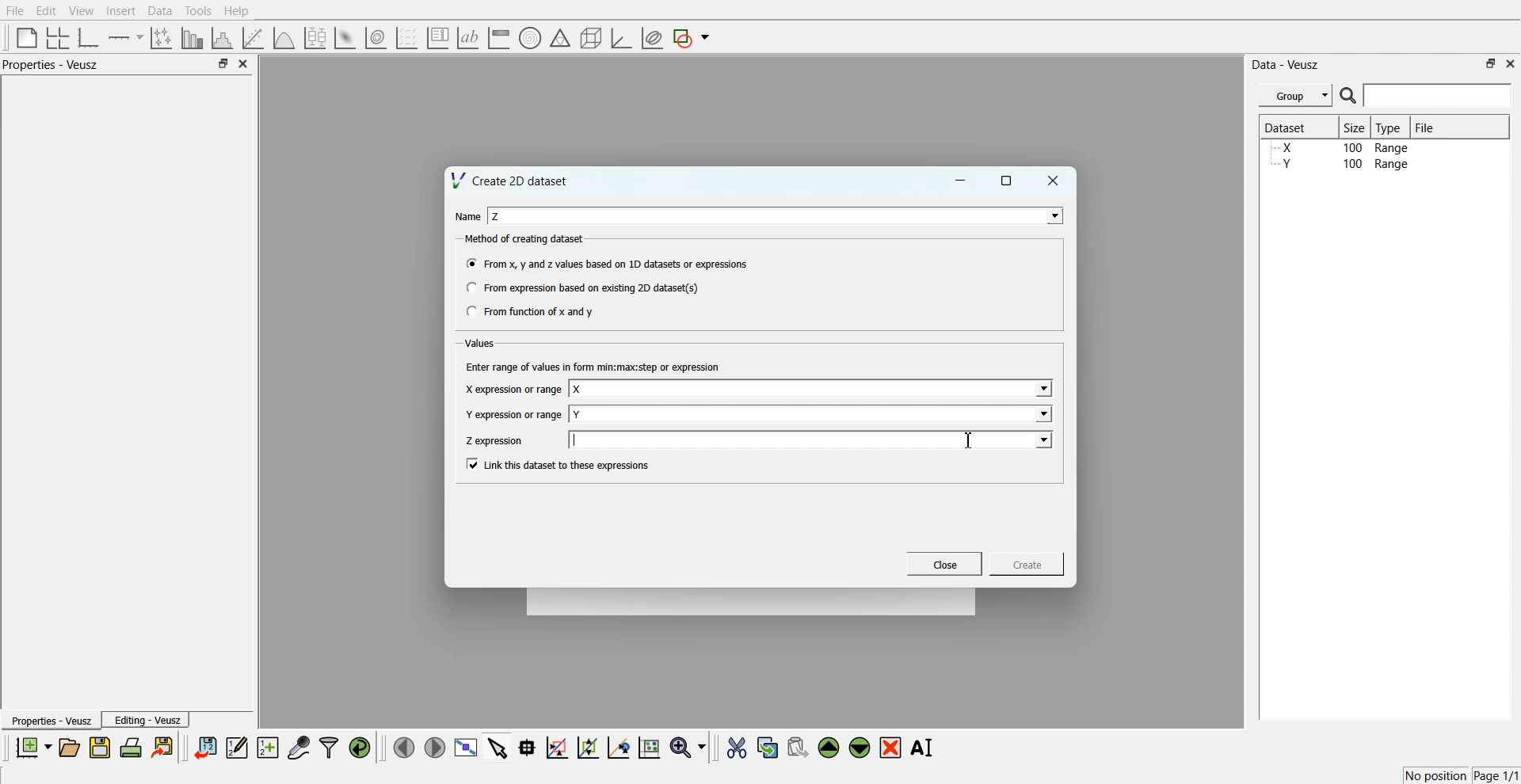  I want to click on Move down the selected widget, so click(860, 748).